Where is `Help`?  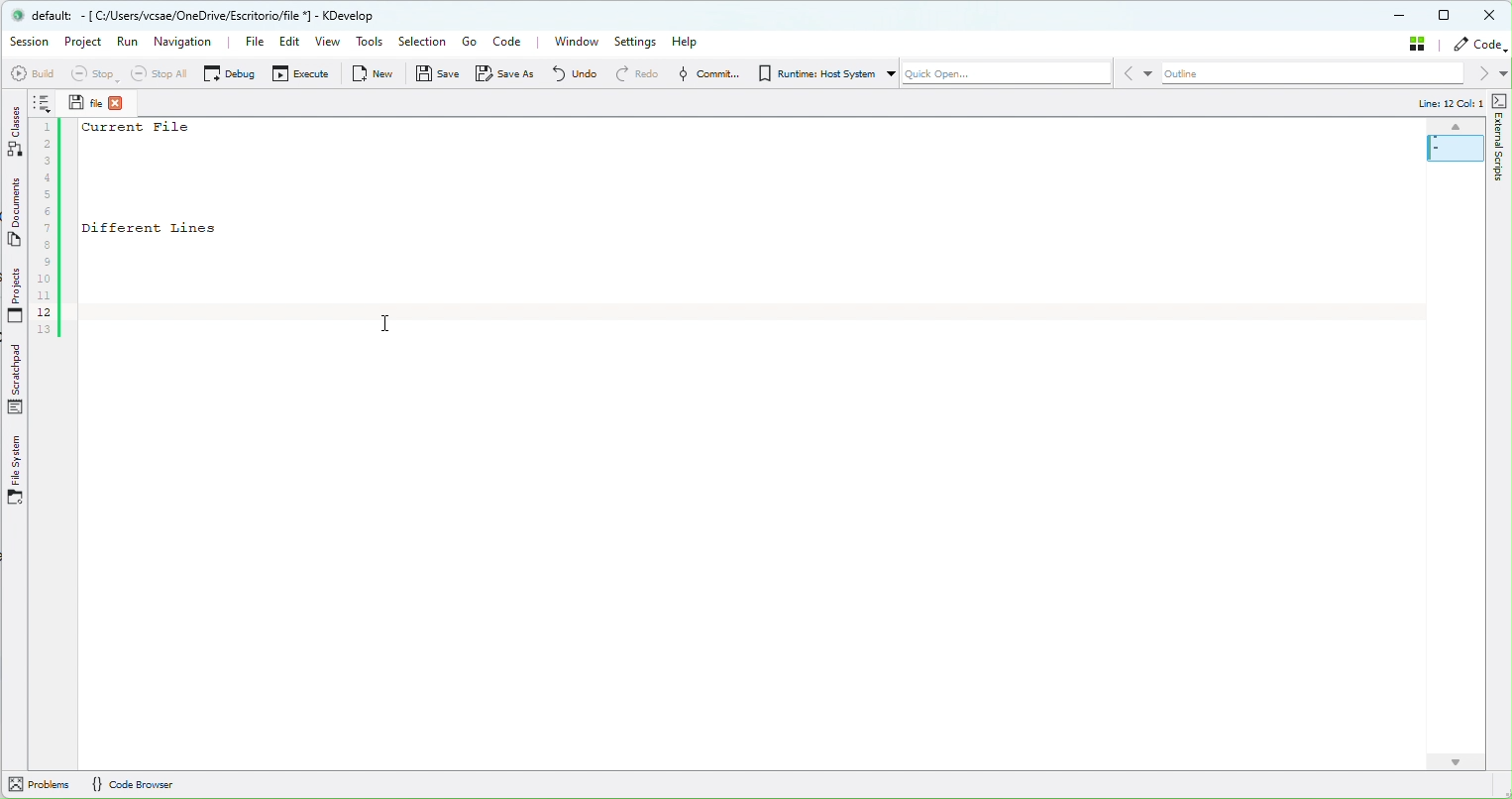
Help is located at coordinates (690, 43).